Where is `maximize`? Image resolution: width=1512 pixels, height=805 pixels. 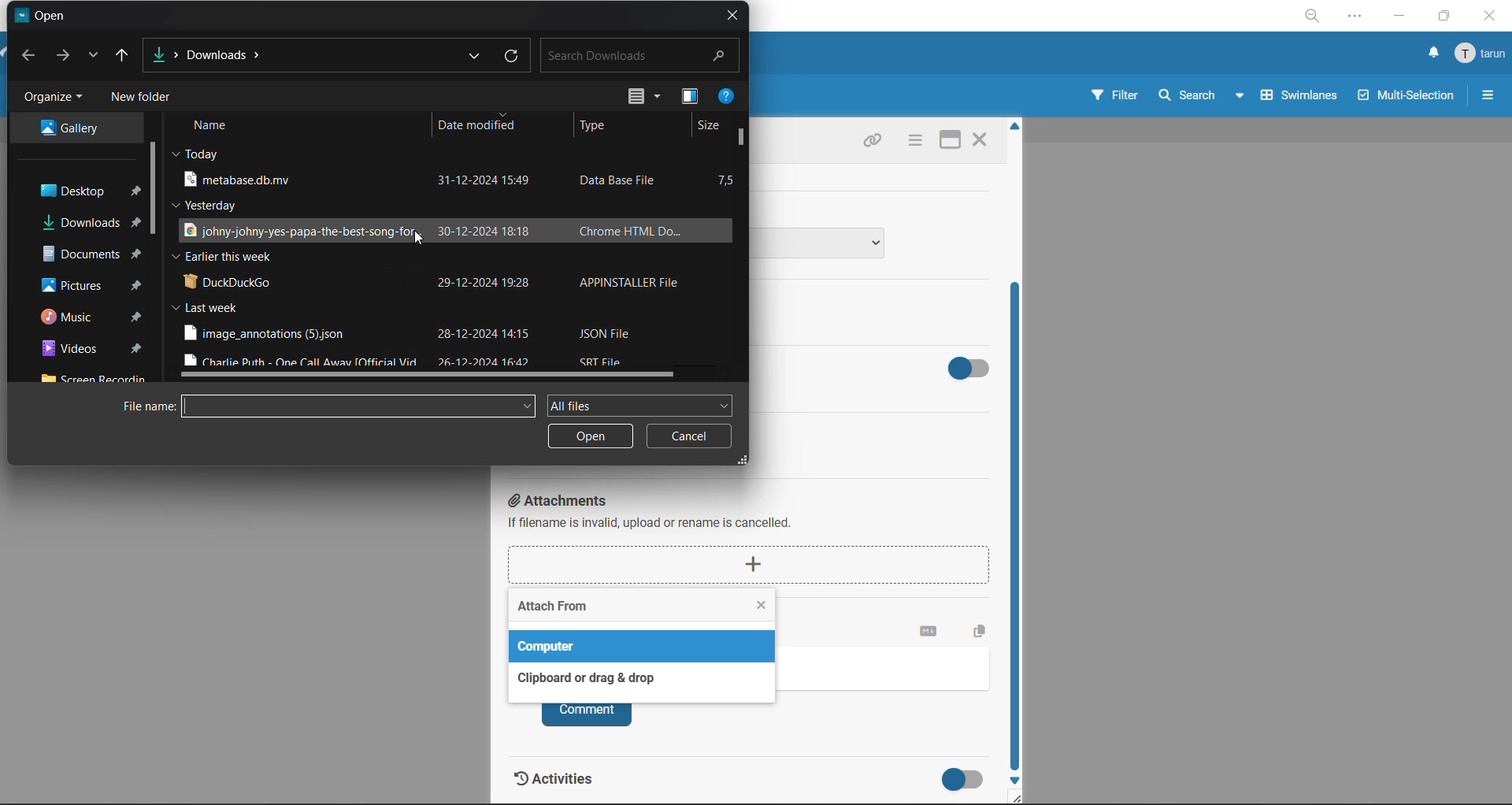 maximize is located at coordinates (1443, 17).